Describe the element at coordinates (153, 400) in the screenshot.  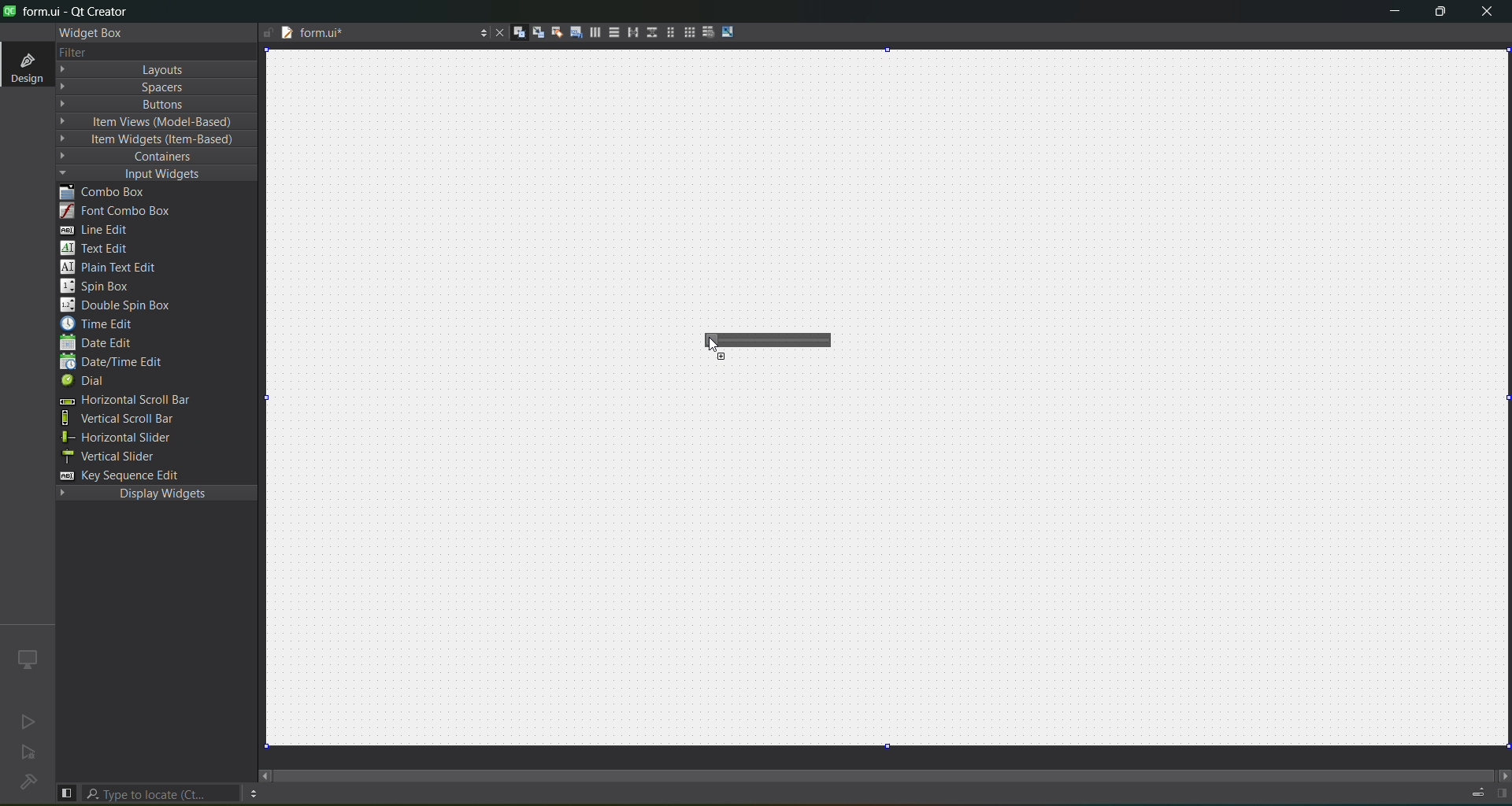
I see `horizontal scroll bar` at that location.